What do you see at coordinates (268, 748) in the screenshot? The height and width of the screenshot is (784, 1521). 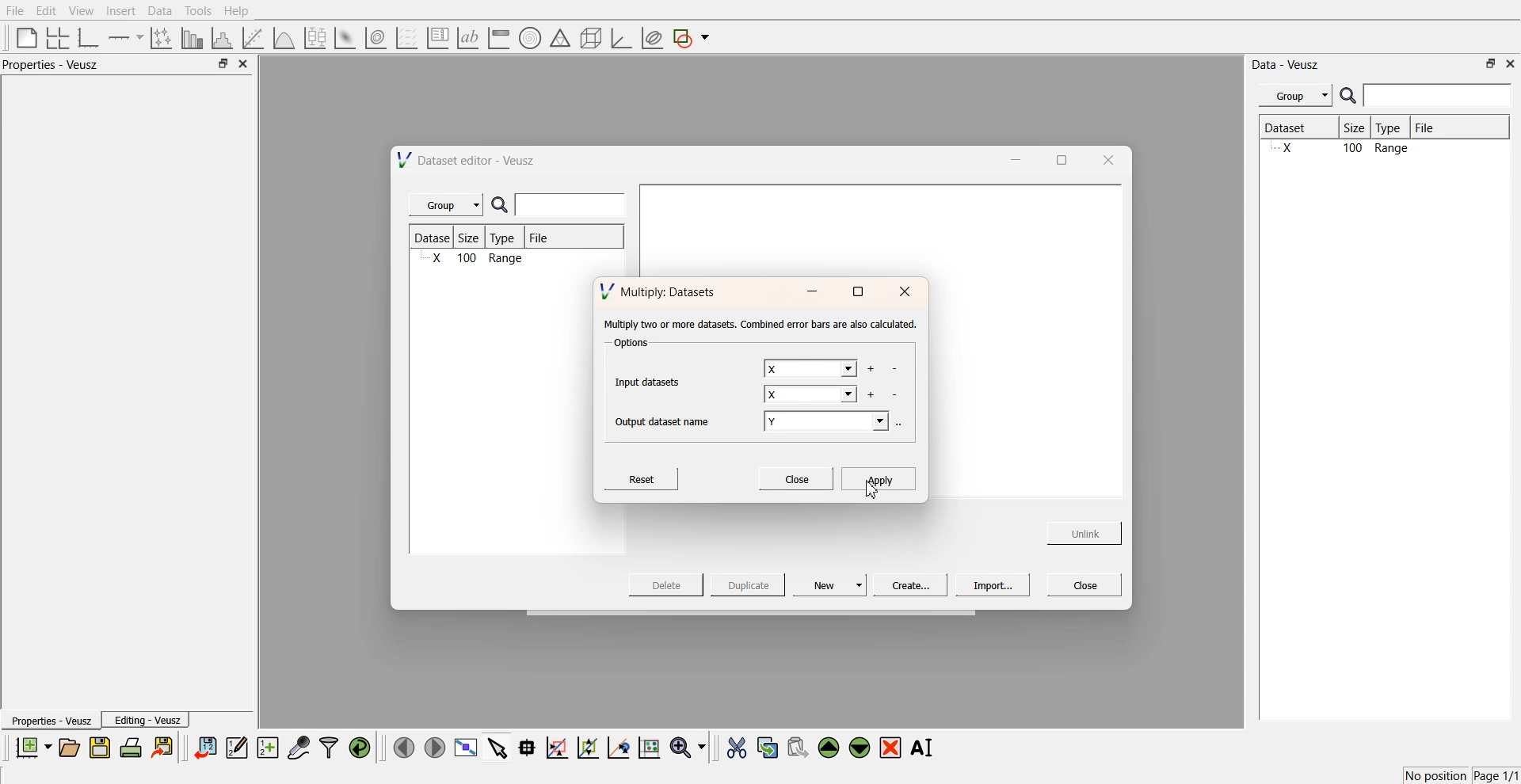 I see `create new datasets` at bounding box center [268, 748].